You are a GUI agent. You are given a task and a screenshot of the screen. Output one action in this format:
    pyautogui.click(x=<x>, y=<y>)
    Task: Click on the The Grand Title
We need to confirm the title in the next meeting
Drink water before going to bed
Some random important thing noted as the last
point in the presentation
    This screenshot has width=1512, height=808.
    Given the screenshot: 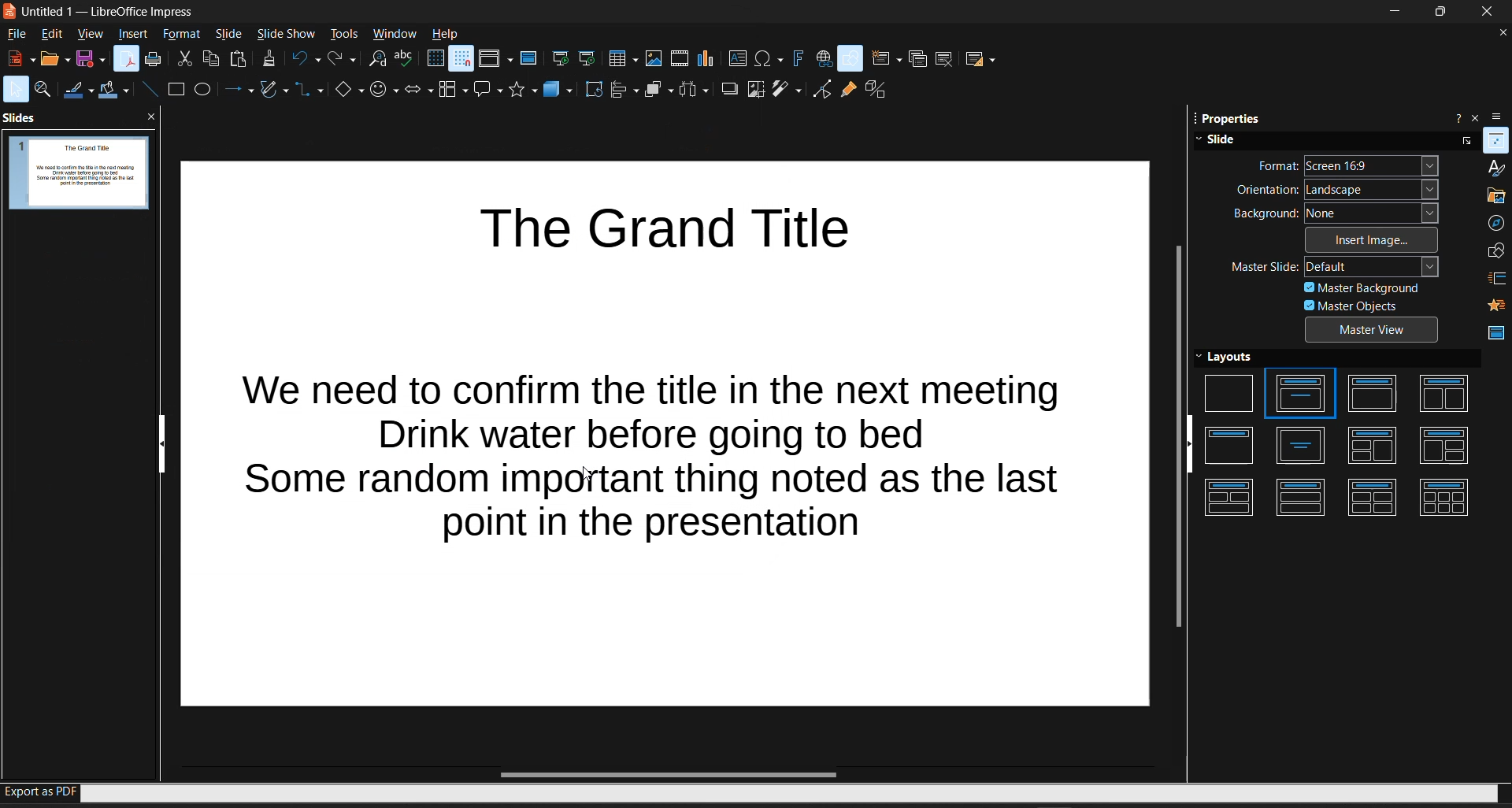 What is the action you would take?
    pyautogui.click(x=666, y=433)
    